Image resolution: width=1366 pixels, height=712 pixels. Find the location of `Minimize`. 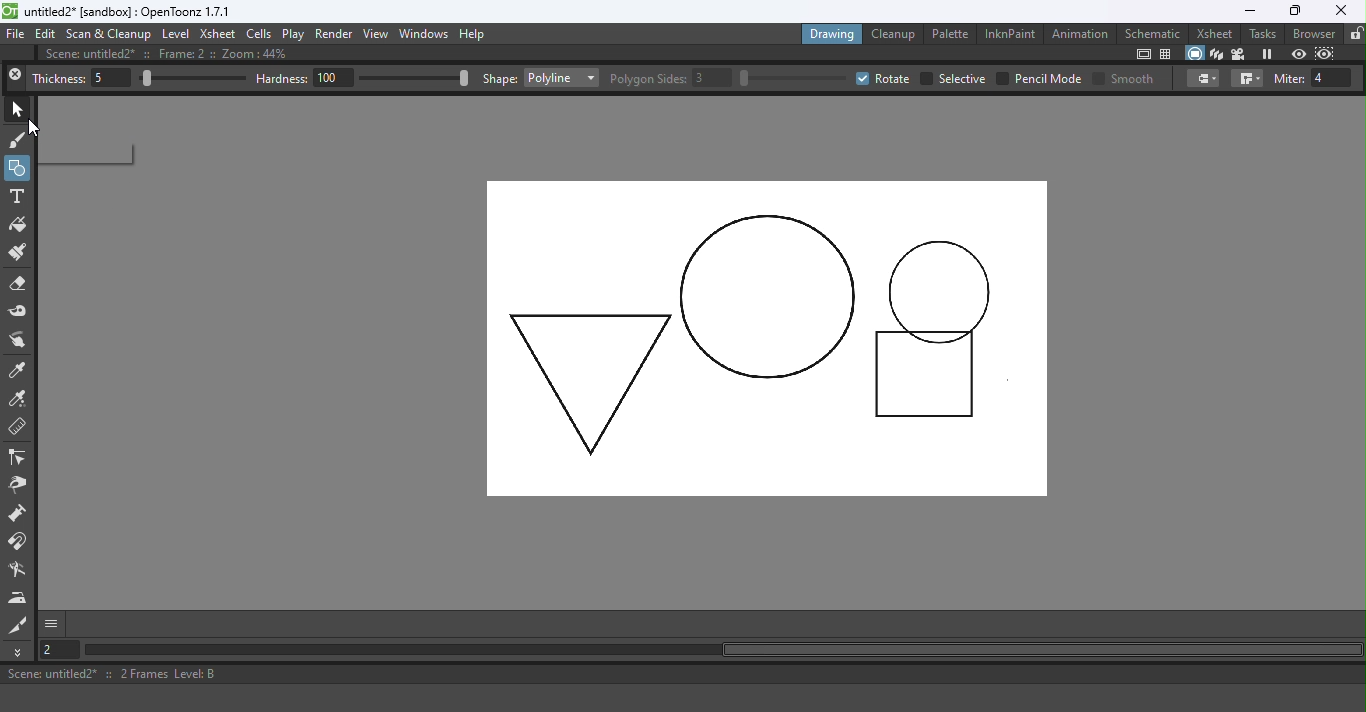

Minimize is located at coordinates (1243, 11).